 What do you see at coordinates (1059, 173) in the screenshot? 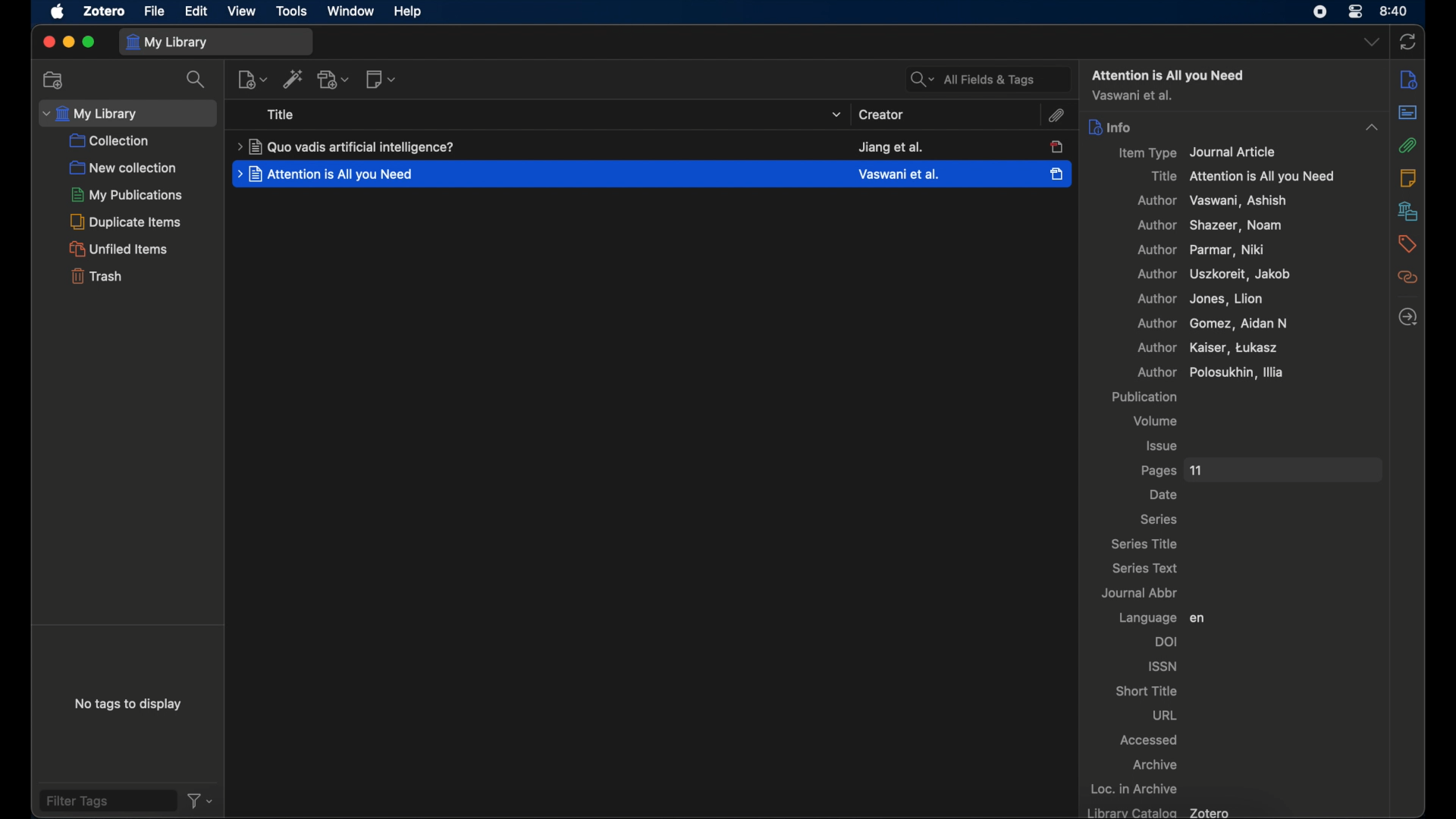
I see `item selected` at bounding box center [1059, 173].